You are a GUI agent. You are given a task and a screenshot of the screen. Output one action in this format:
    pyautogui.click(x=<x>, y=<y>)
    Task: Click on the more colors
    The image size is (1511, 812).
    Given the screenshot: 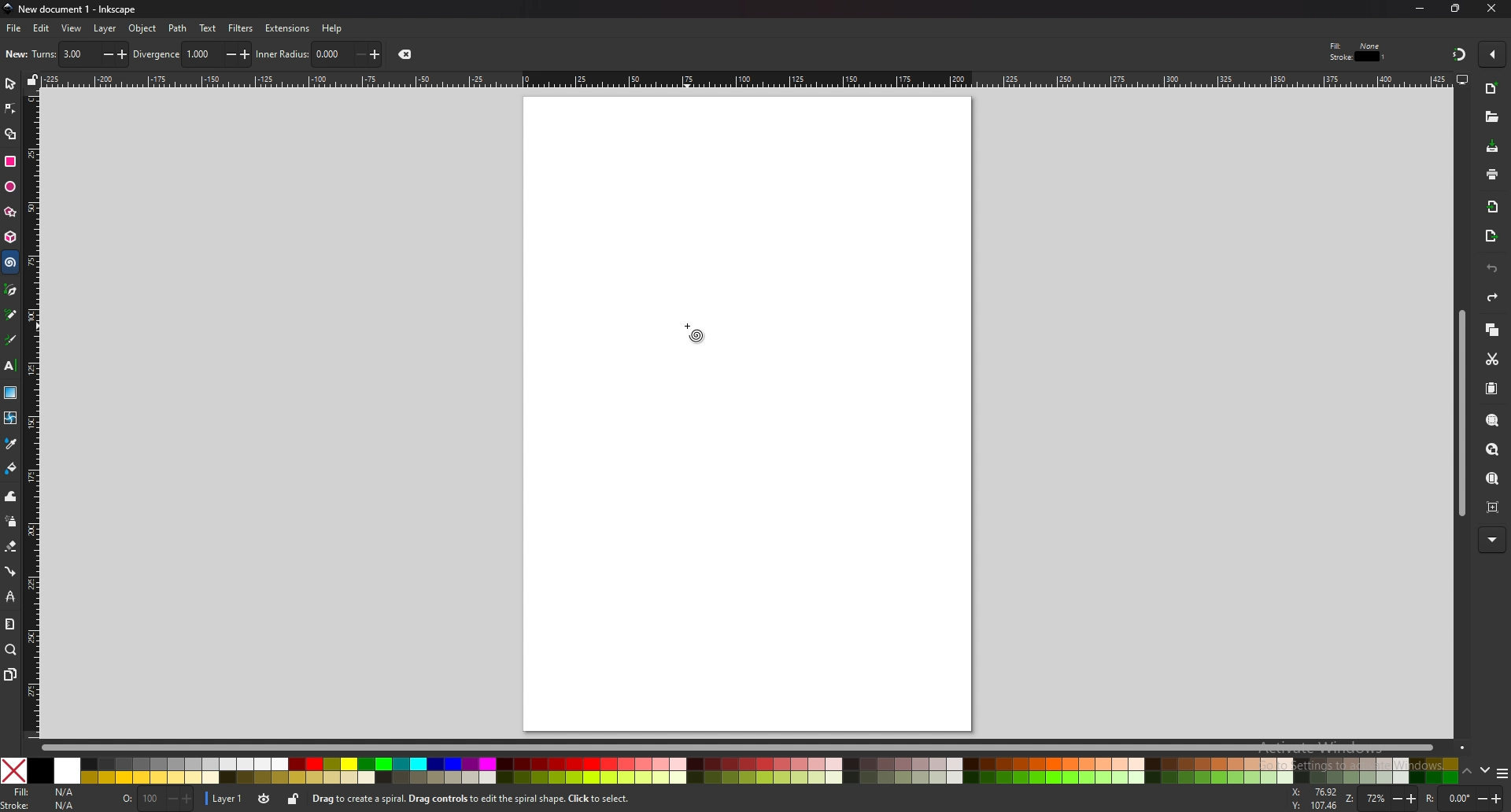 What is the action you would take?
    pyautogui.click(x=1499, y=772)
    